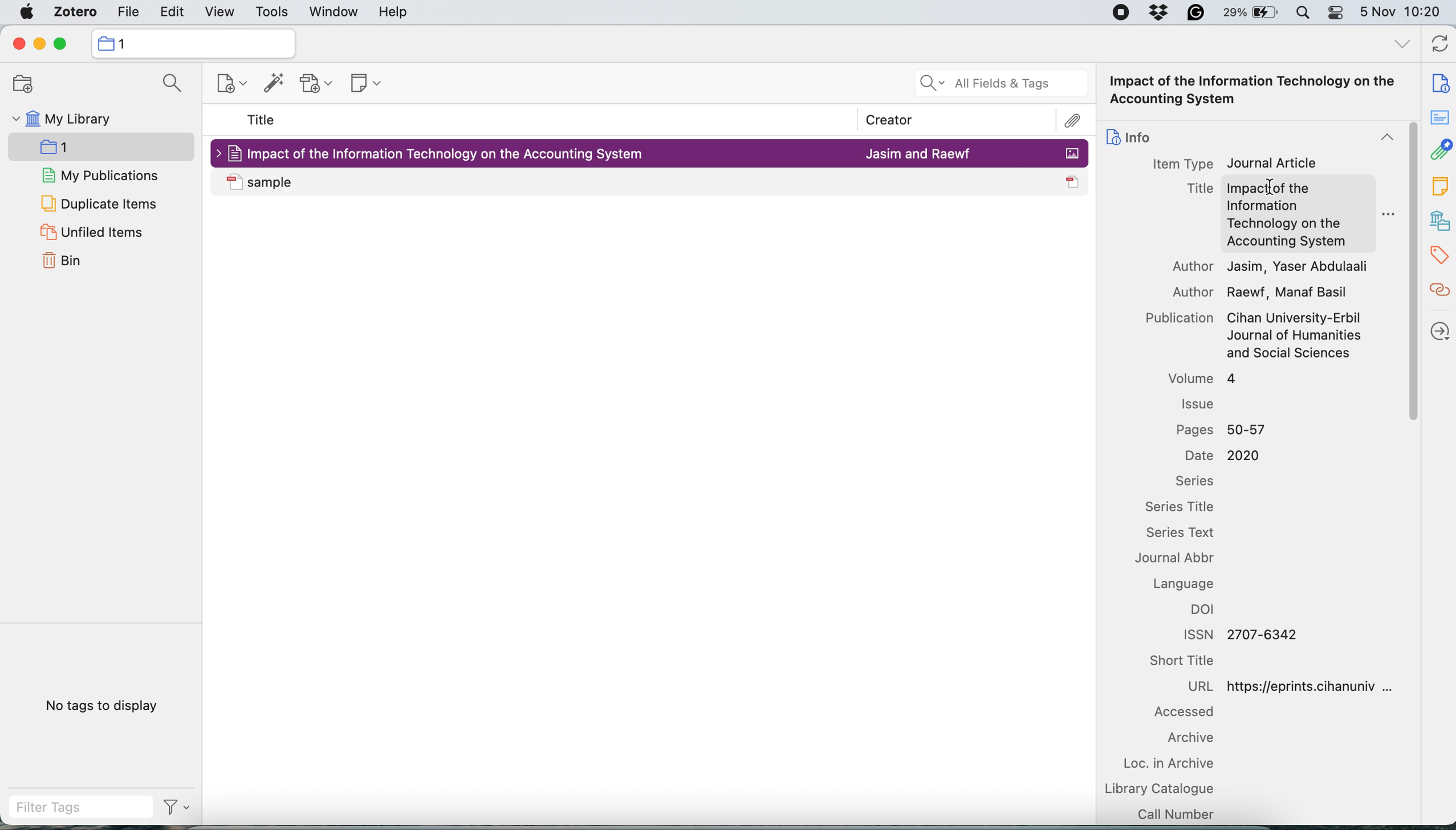  I want to click on Impact of the Information Technology on the Accounting System, so click(1290, 215).